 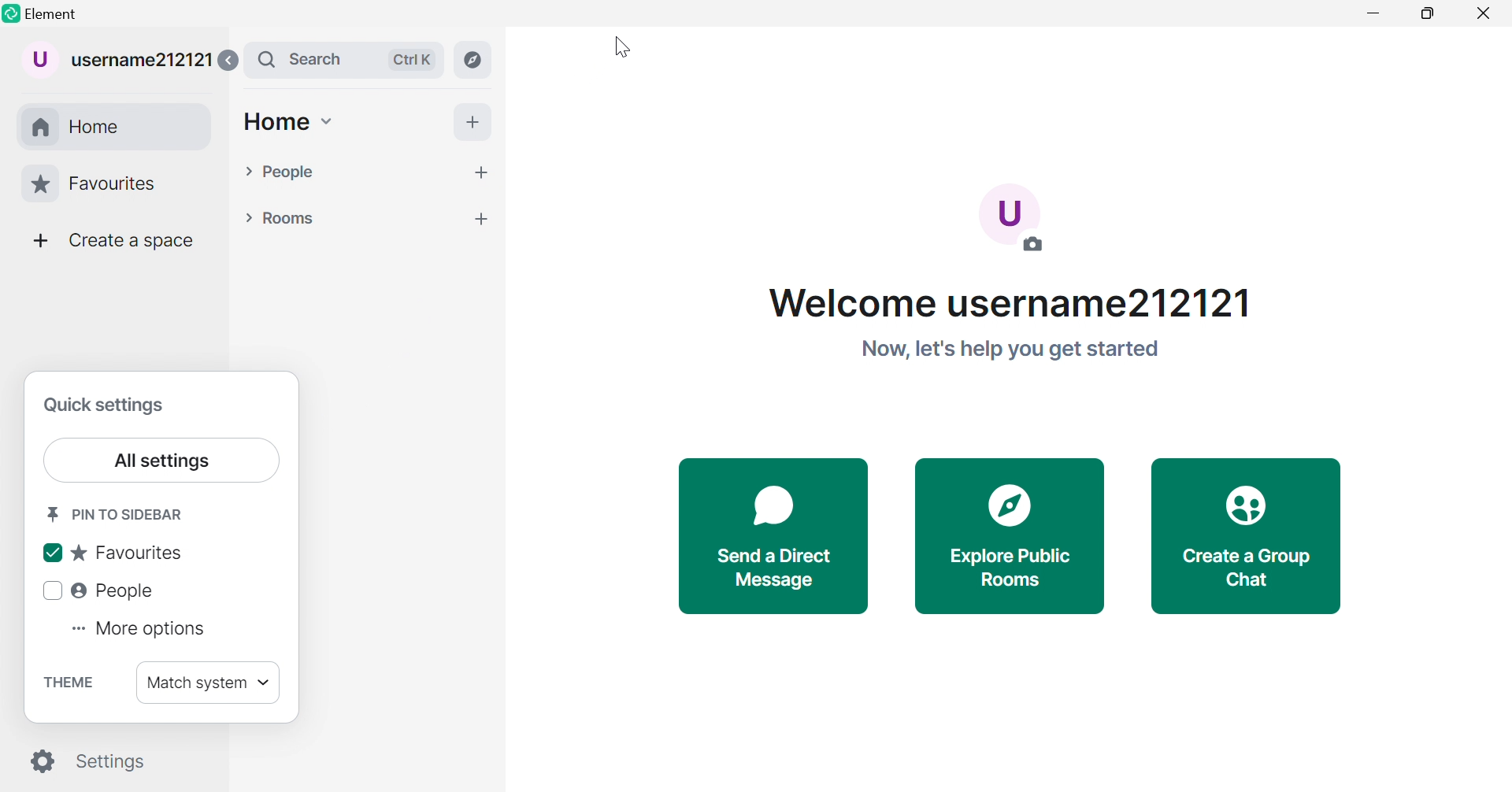 What do you see at coordinates (70, 683) in the screenshot?
I see `Theme` at bounding box center [70, 683].